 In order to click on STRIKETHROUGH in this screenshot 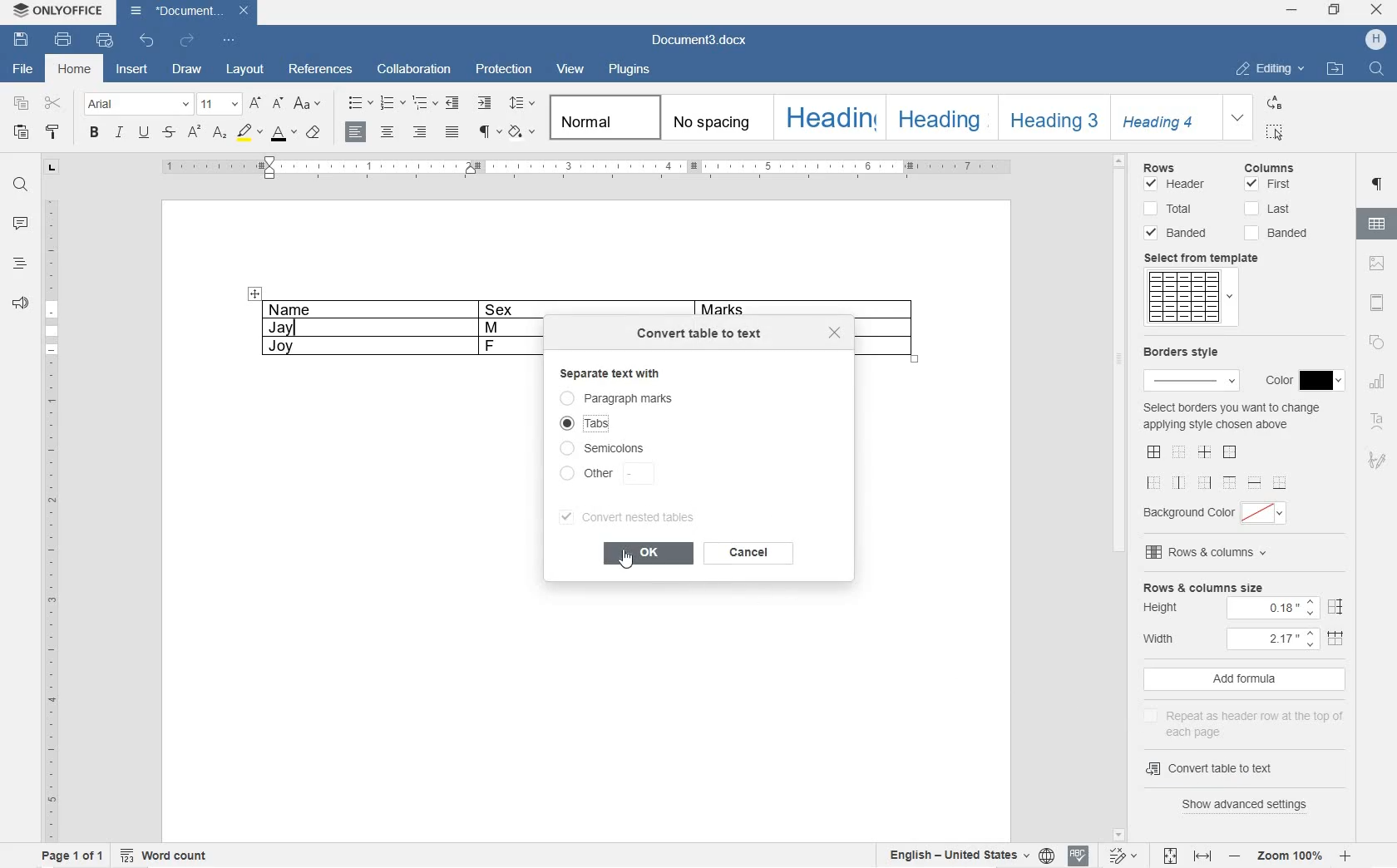, I will do `click(168, 134)`.